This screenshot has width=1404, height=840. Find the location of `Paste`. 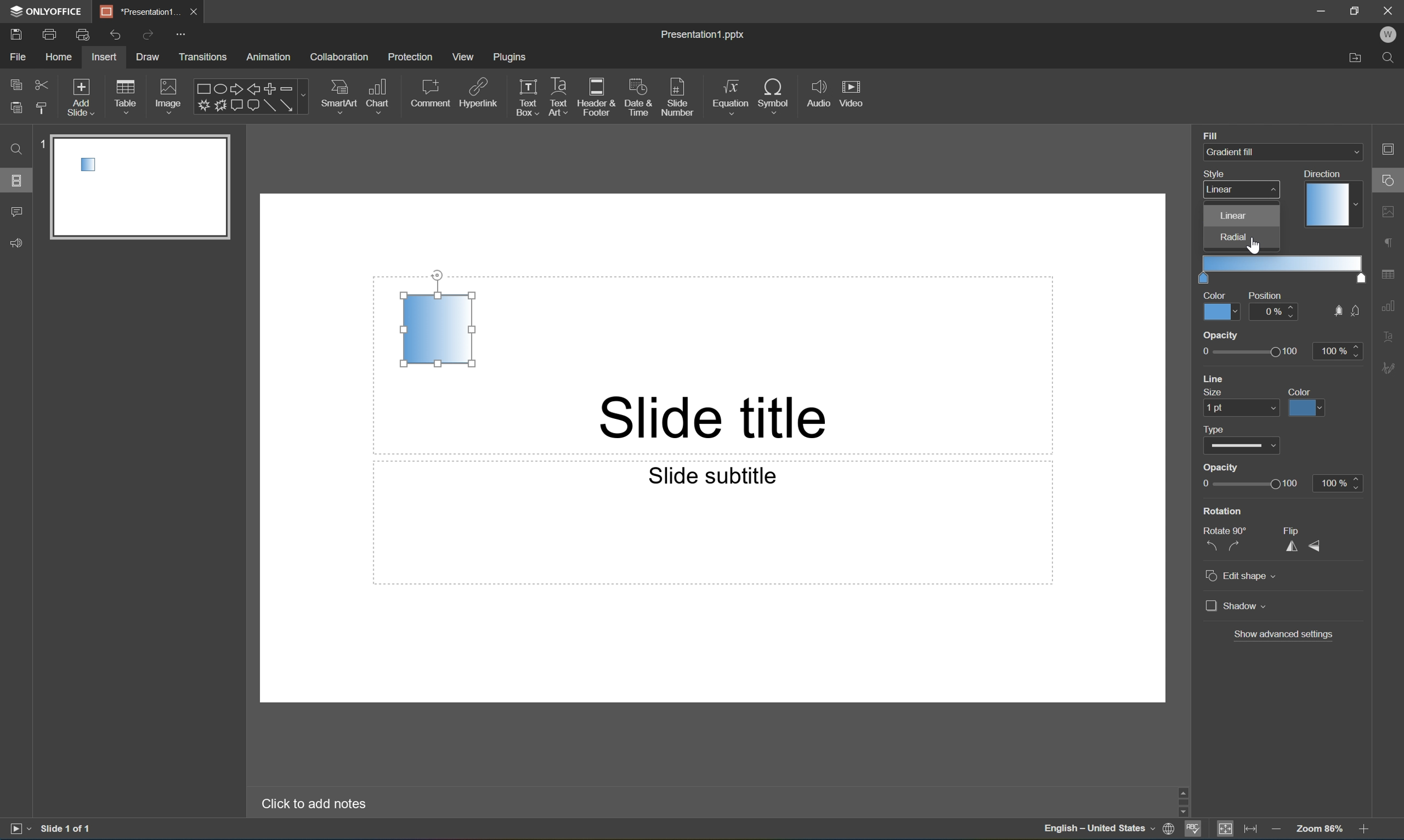

Paste is located at coordinates (16, 108).